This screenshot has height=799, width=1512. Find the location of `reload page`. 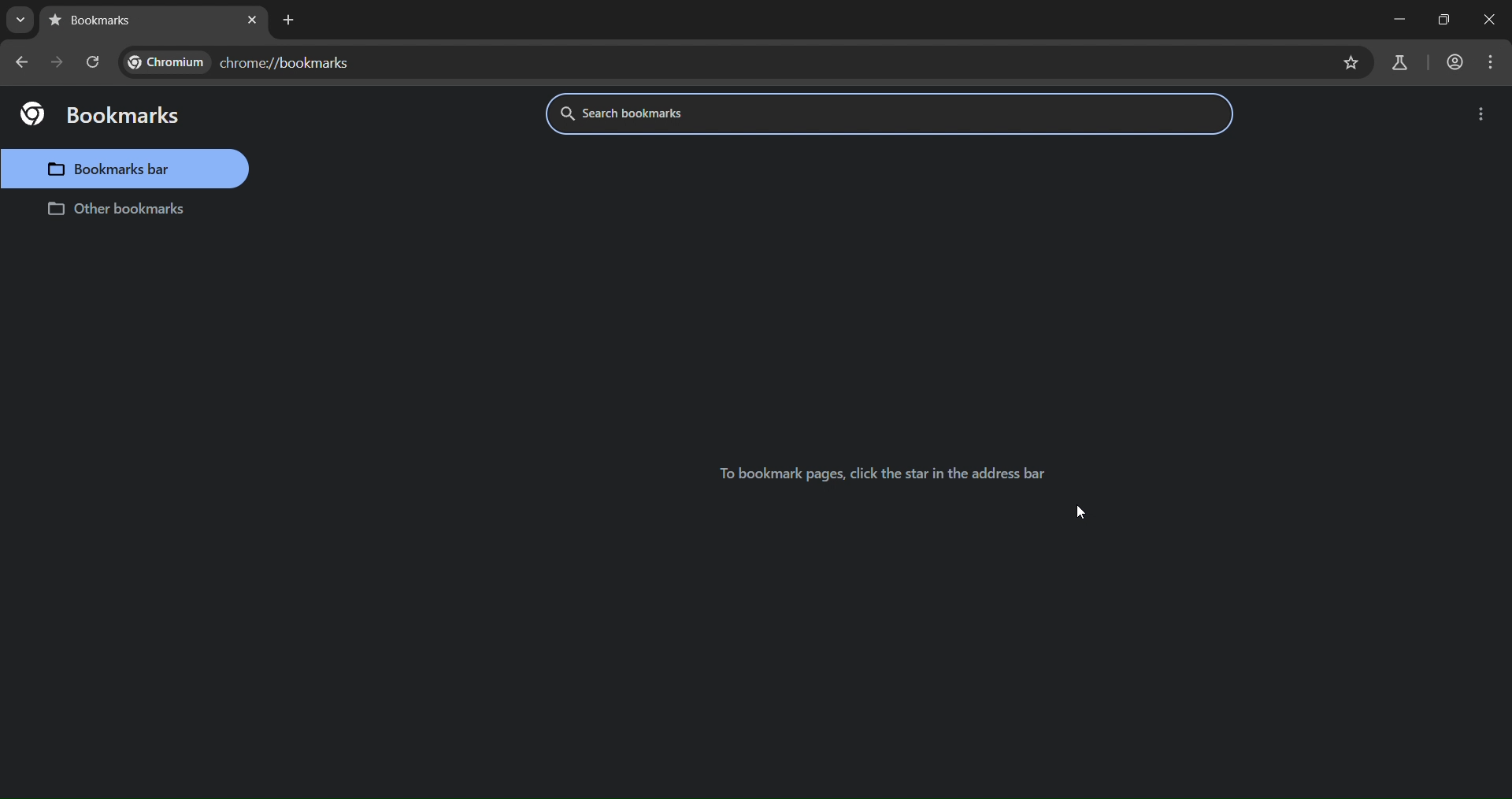

reload page is located at coordinates (95, 65).